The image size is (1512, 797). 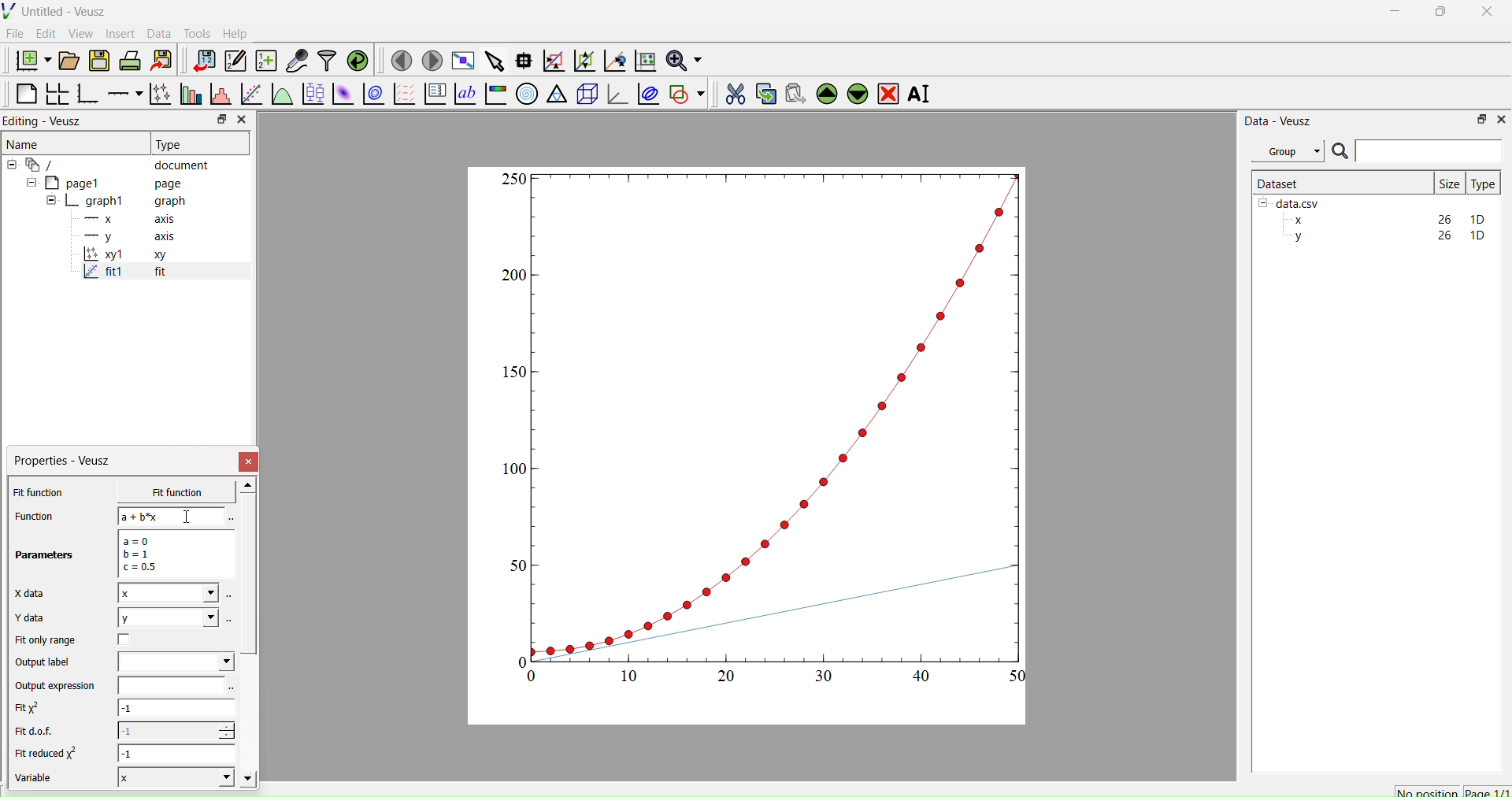 I want to click on data.csv, so click(x=1291, y=202).